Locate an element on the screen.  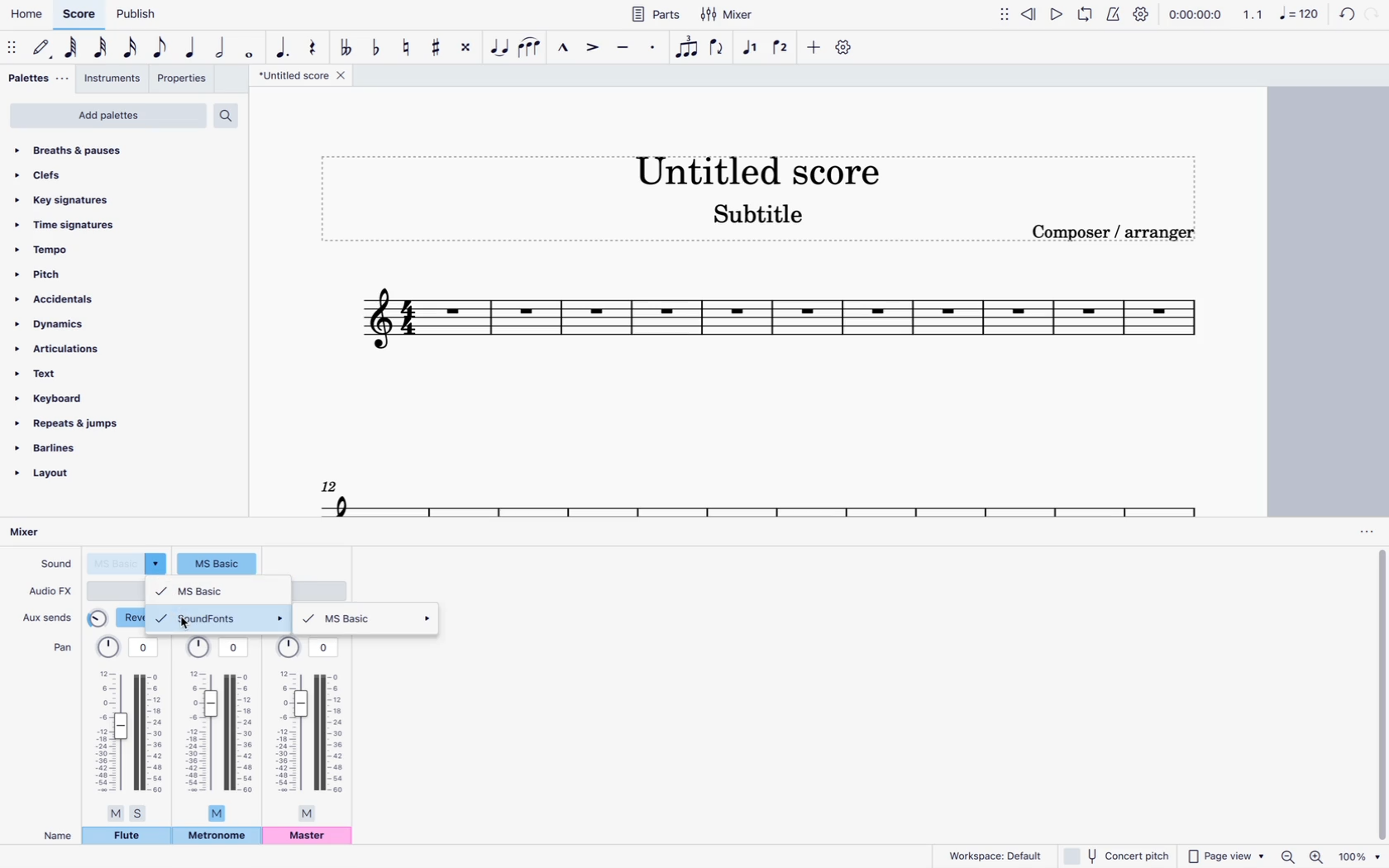
toggle double flat is located at coordinates (346, 47).